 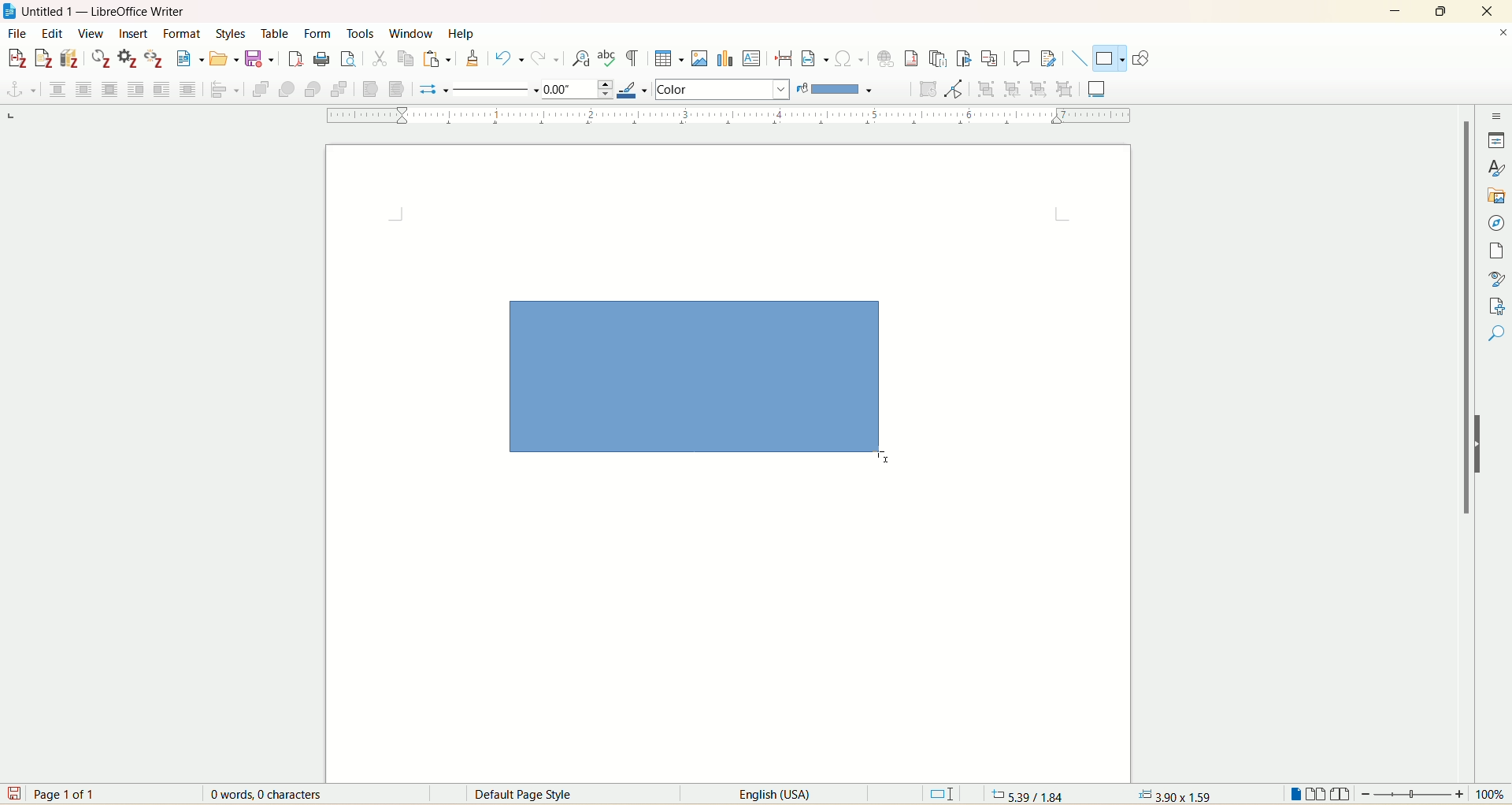 I want to click on insert image, so click(x=702, y=57).